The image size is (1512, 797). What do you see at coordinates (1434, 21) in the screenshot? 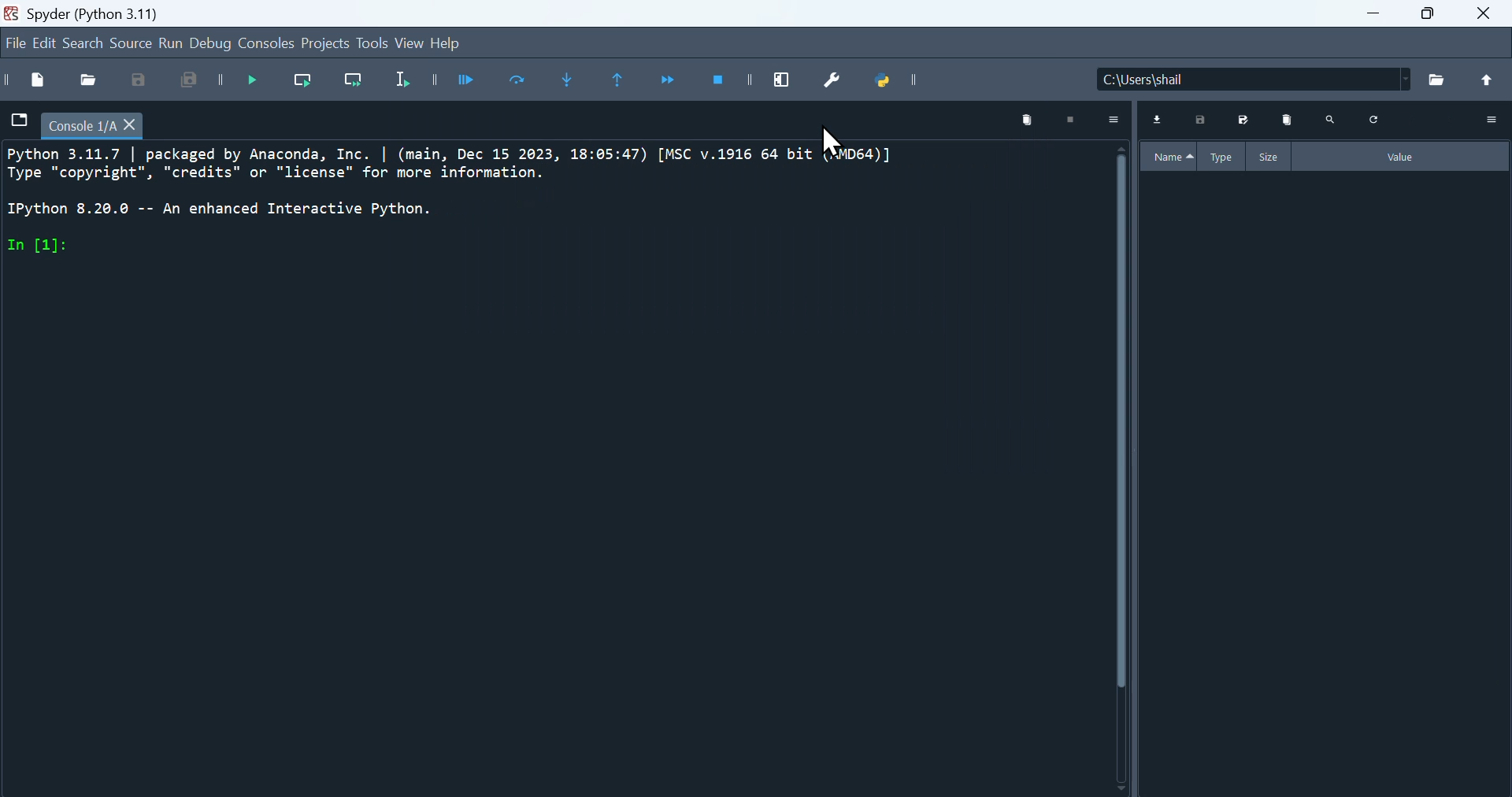
I see `Maximise` at bounding box center [1434, 21].